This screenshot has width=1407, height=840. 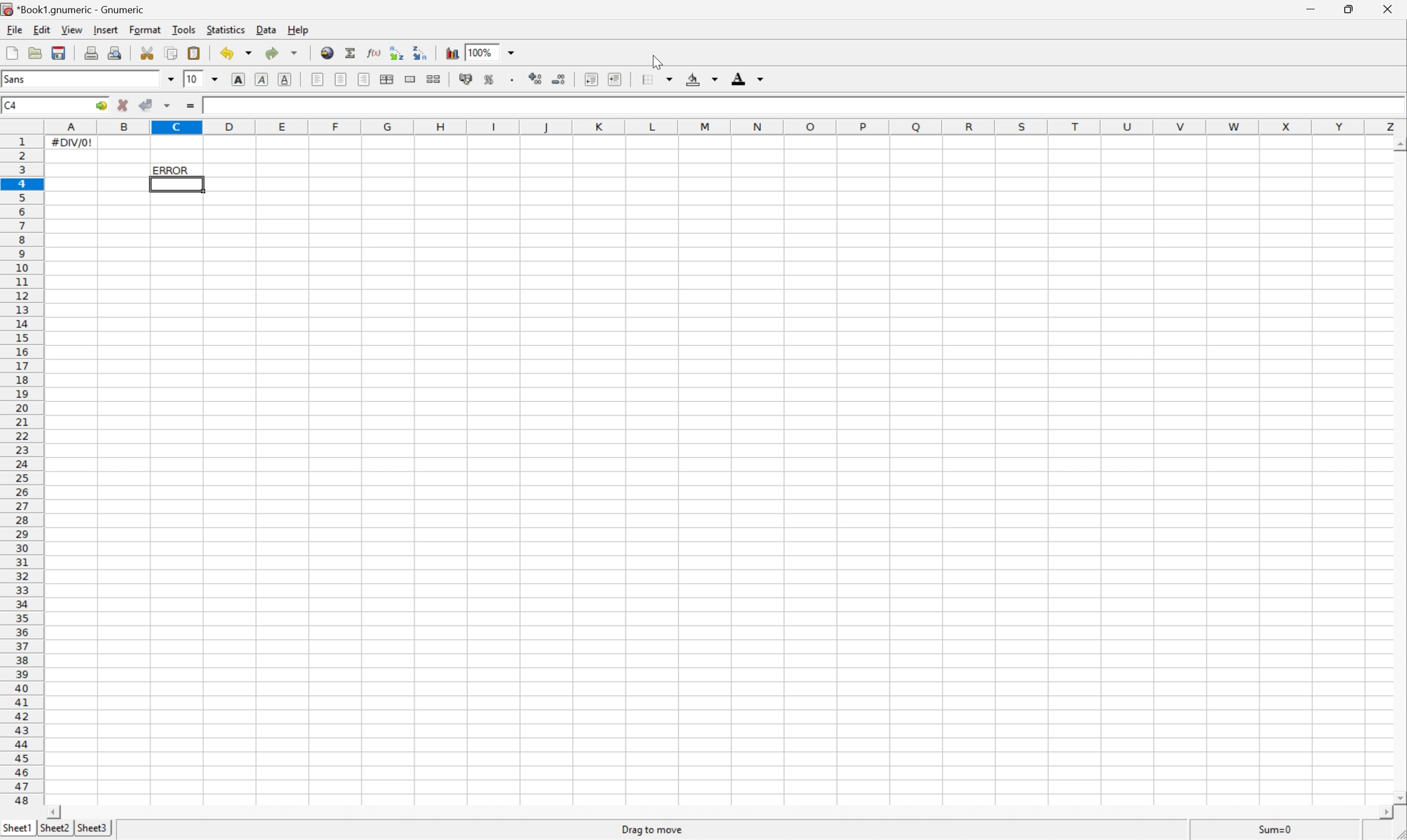 I want to click on Bold, so click(x=238, y=79).